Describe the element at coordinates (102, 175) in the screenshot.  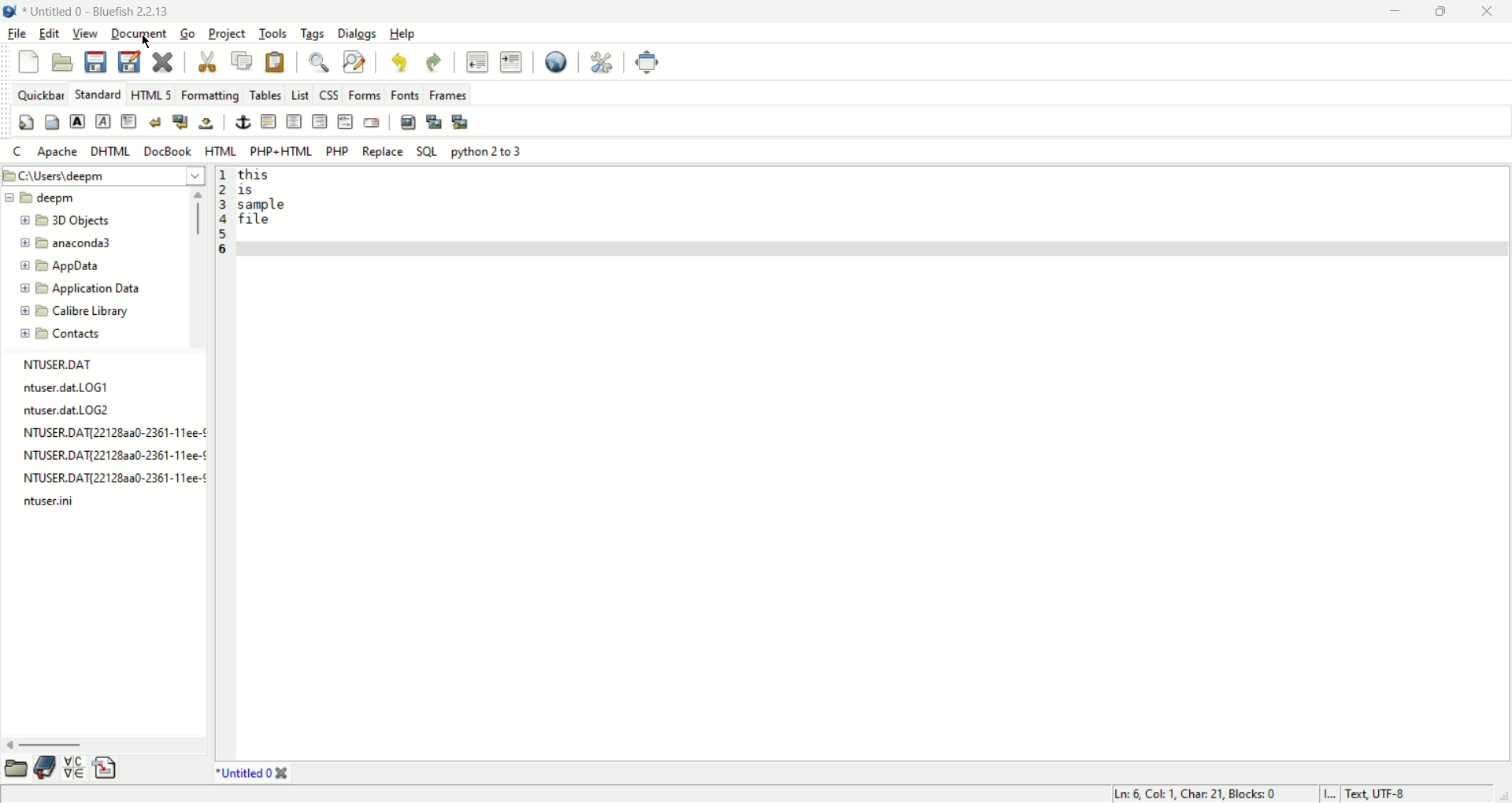
I see `location` at that location.